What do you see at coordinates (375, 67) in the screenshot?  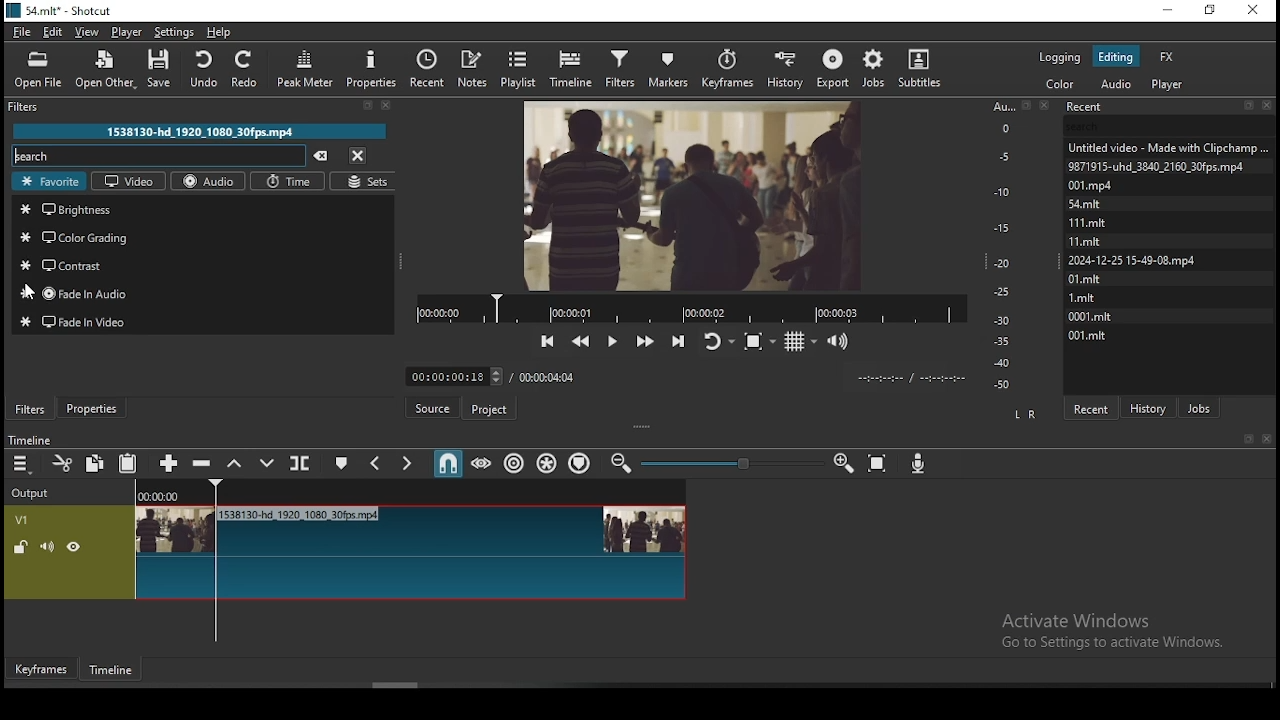 I see `properties` at bounding box center [375, 67].